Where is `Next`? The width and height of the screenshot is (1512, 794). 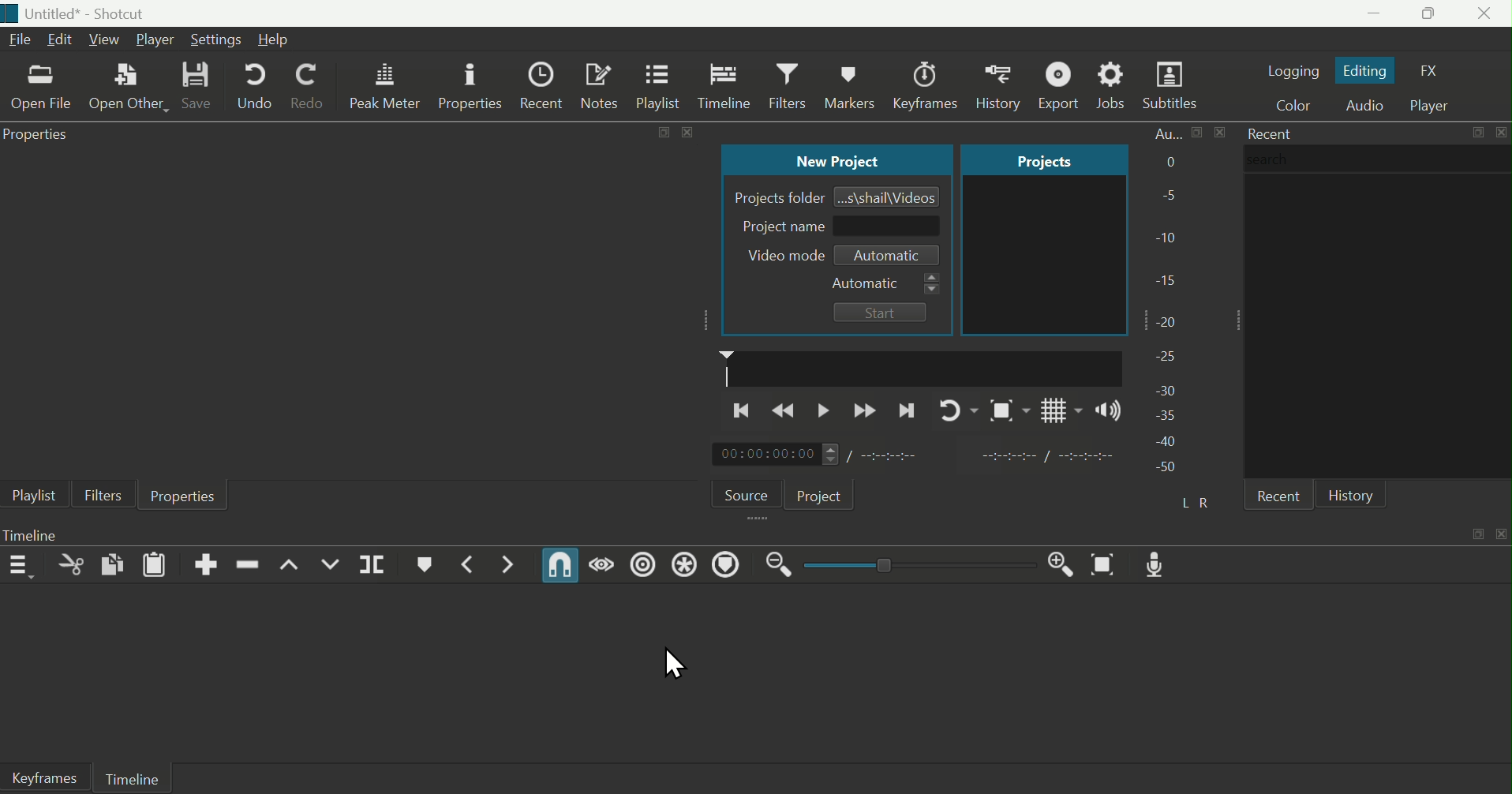 Next is located at coordinates (908, 408).